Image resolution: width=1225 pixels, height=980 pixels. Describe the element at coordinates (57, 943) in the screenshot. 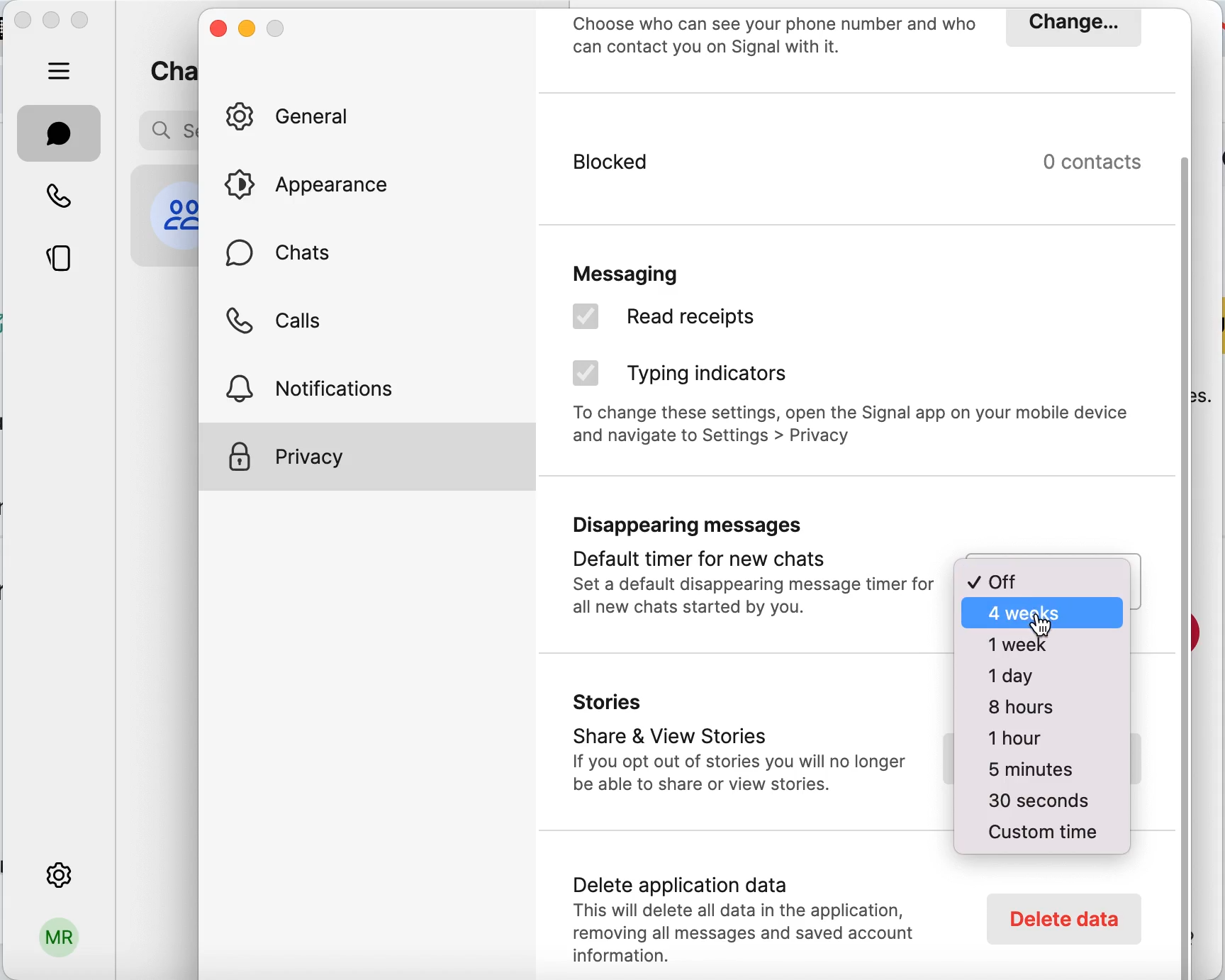

I see `user` at that location.